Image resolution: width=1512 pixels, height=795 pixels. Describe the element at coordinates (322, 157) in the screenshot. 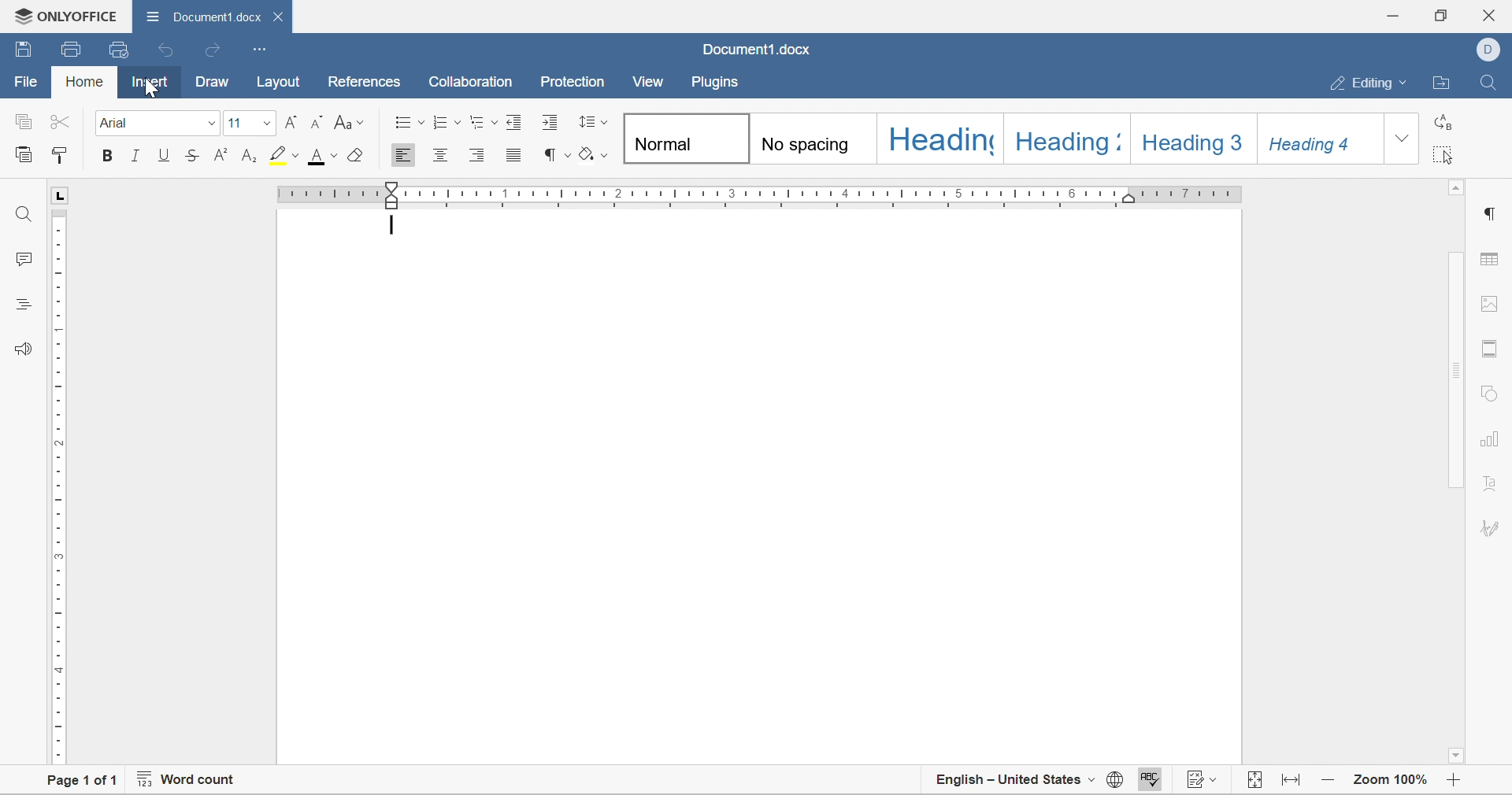

I see `Font color` at that location.